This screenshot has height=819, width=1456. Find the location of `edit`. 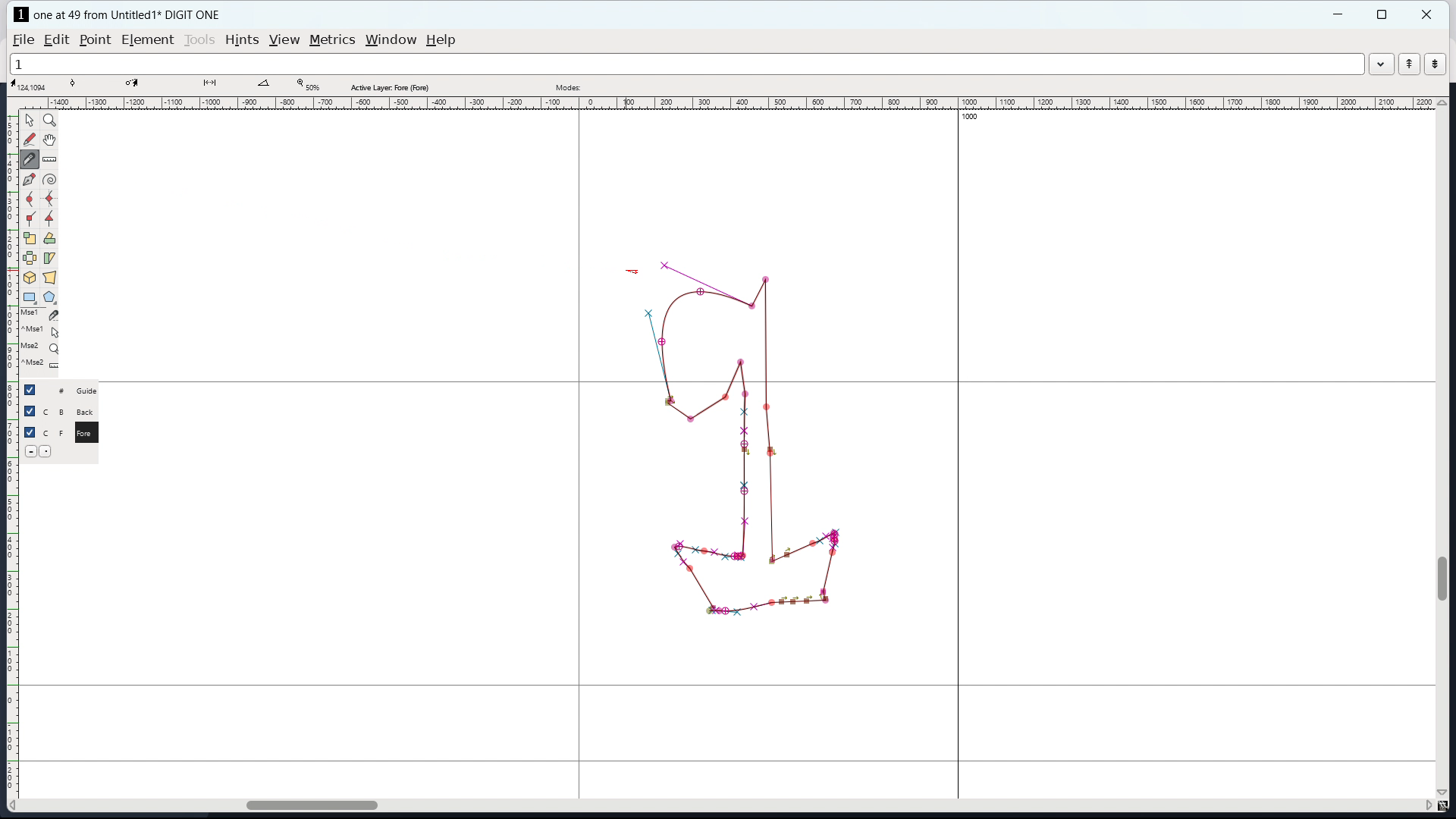

edit is located at coordinates (56, 40).